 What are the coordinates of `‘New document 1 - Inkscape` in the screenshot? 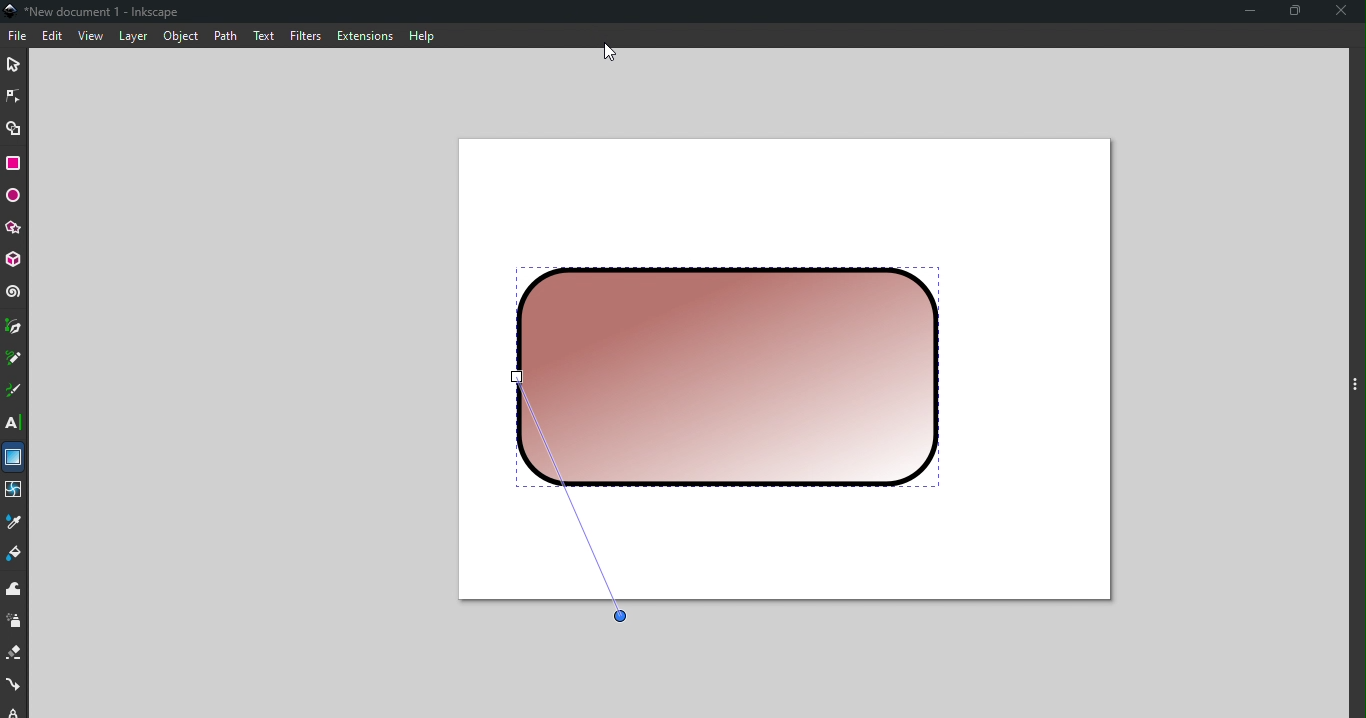 It's located at (105, 12).